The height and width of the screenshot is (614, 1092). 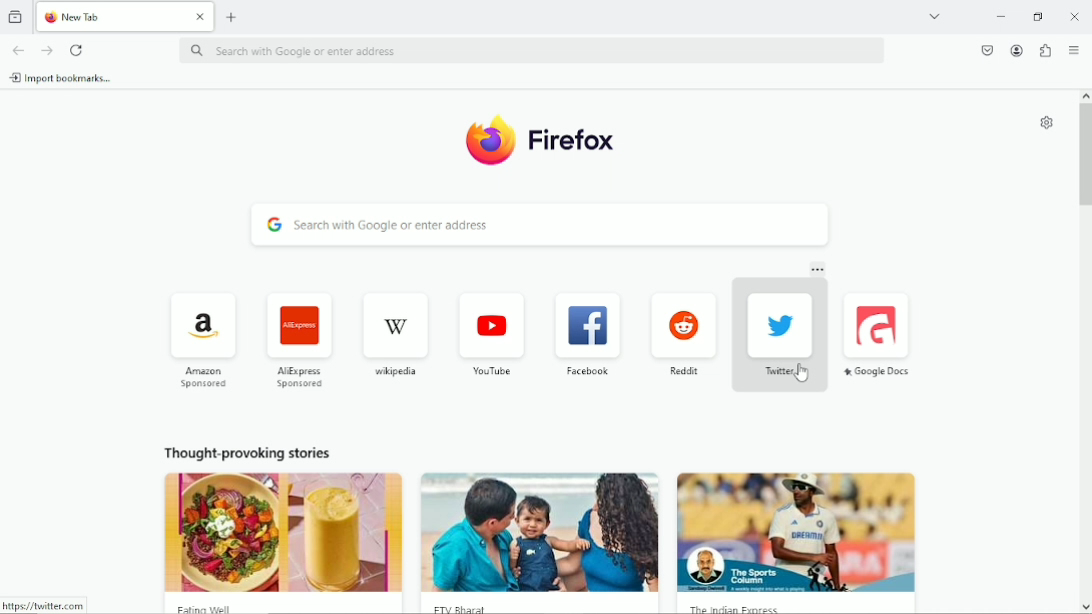 What do you see at coordinates (48, 51) in the screenshot?
I see `go forward` at bounding box center [48, 51].